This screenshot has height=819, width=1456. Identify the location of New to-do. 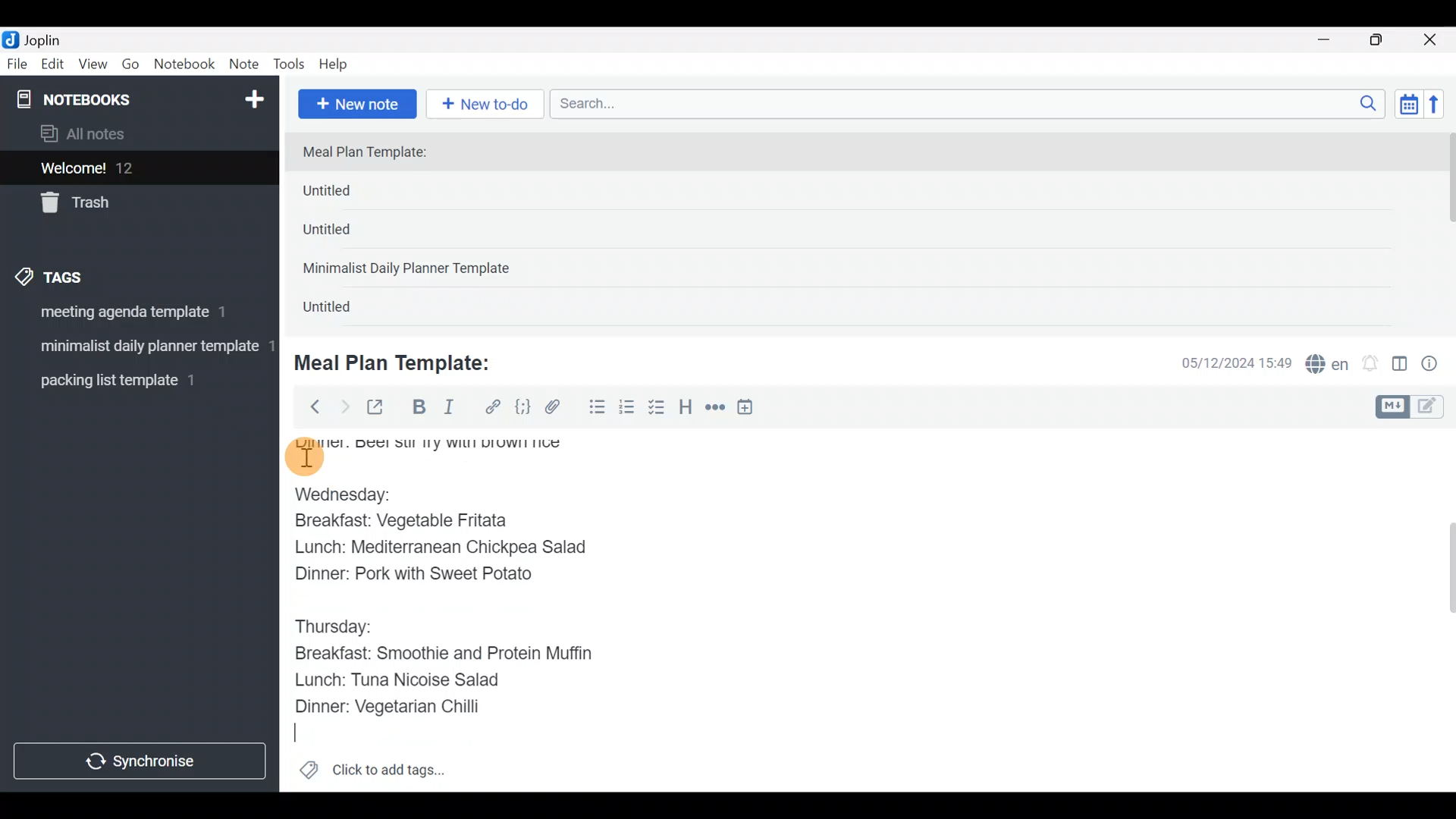
(488, 105).